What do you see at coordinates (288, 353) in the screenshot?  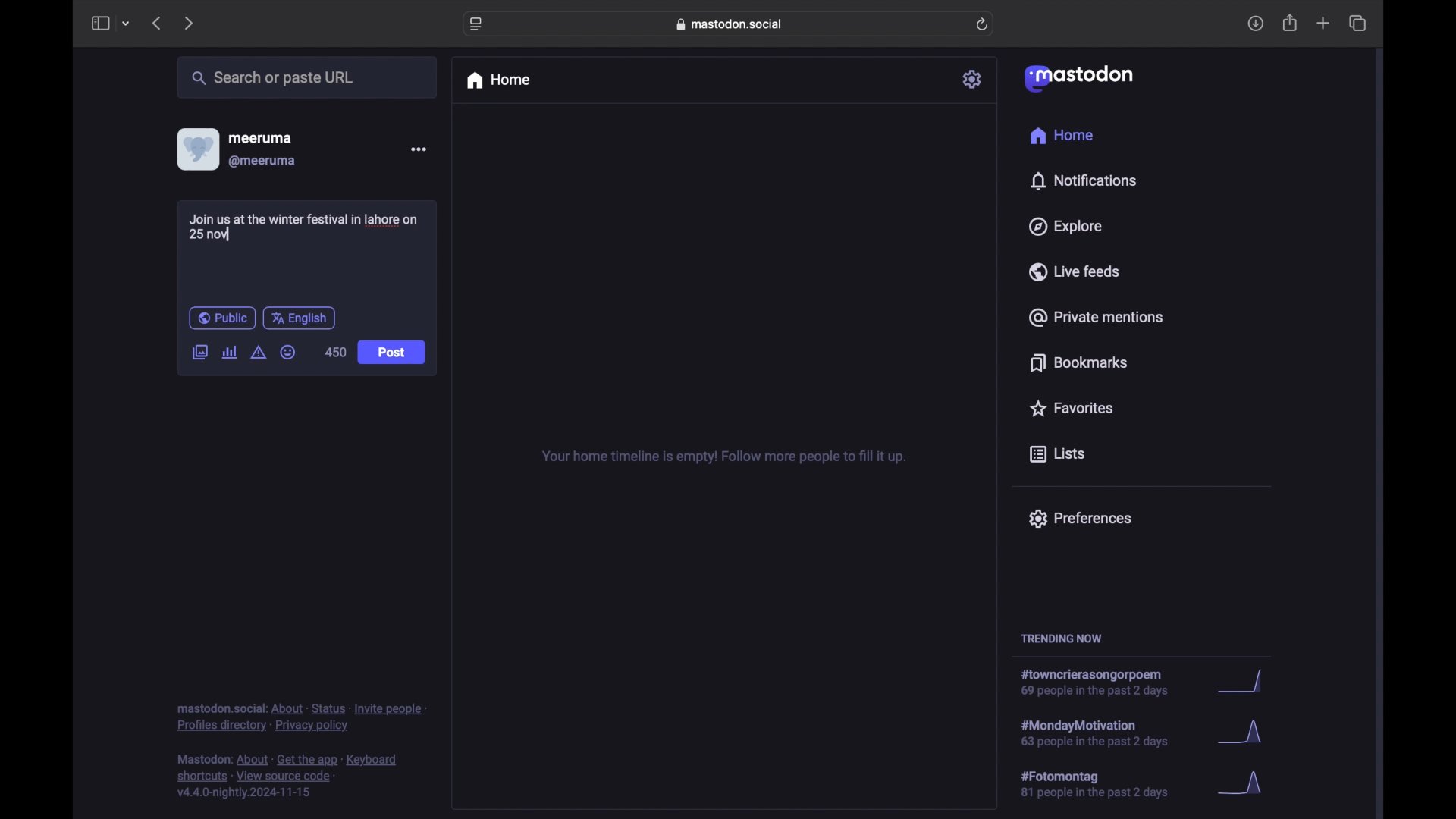 I see `emoji` at bounding box center [288, 353].